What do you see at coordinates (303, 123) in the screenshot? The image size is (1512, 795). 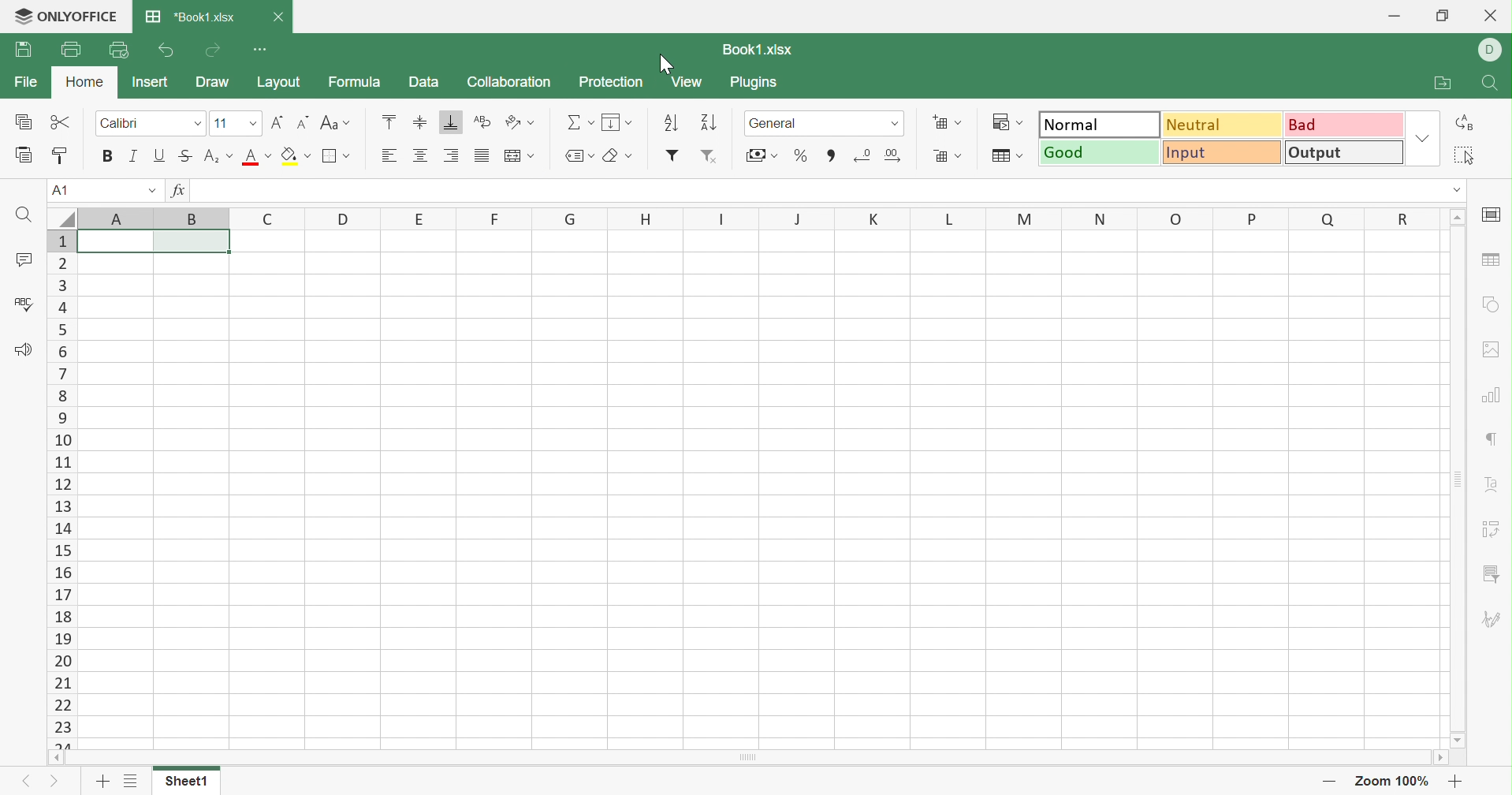 I see `Decrement font size` at bounding box center [303, 123].